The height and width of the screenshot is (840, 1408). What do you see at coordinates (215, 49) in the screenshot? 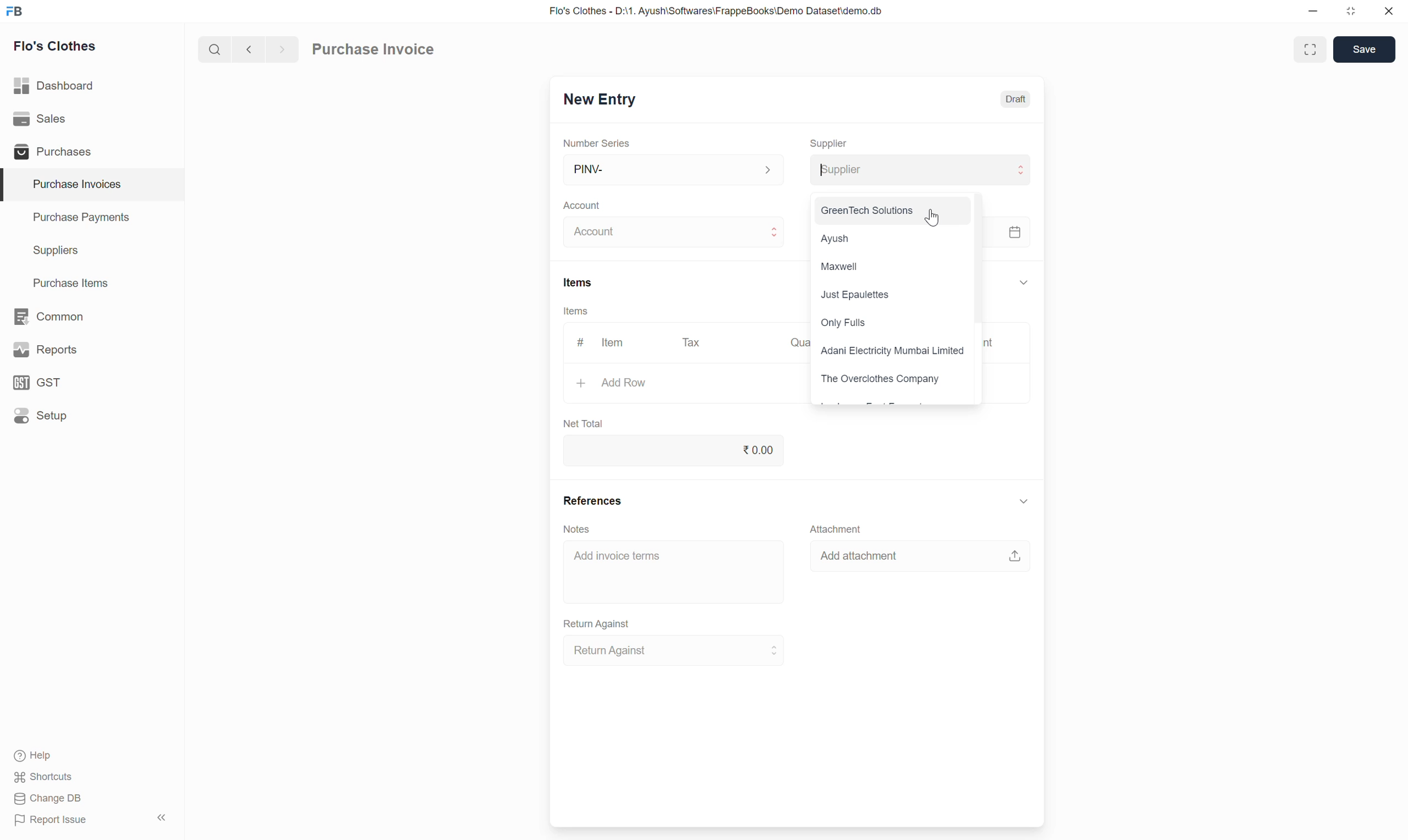
I see `Search` at bounding box center [215, 49].